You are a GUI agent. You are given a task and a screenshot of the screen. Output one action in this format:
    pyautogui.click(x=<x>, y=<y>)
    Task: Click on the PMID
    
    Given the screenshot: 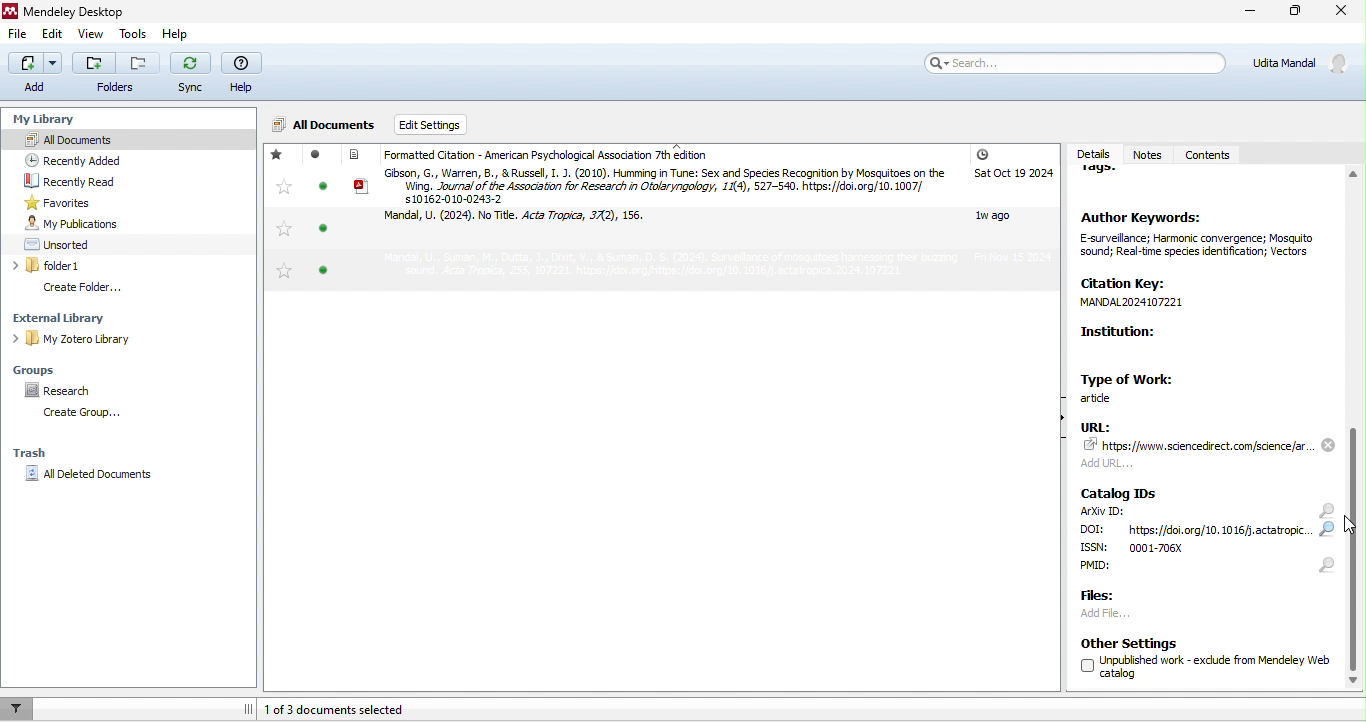 What is the action you would take?
    pyautogui.click(x=1127, y=569)
    